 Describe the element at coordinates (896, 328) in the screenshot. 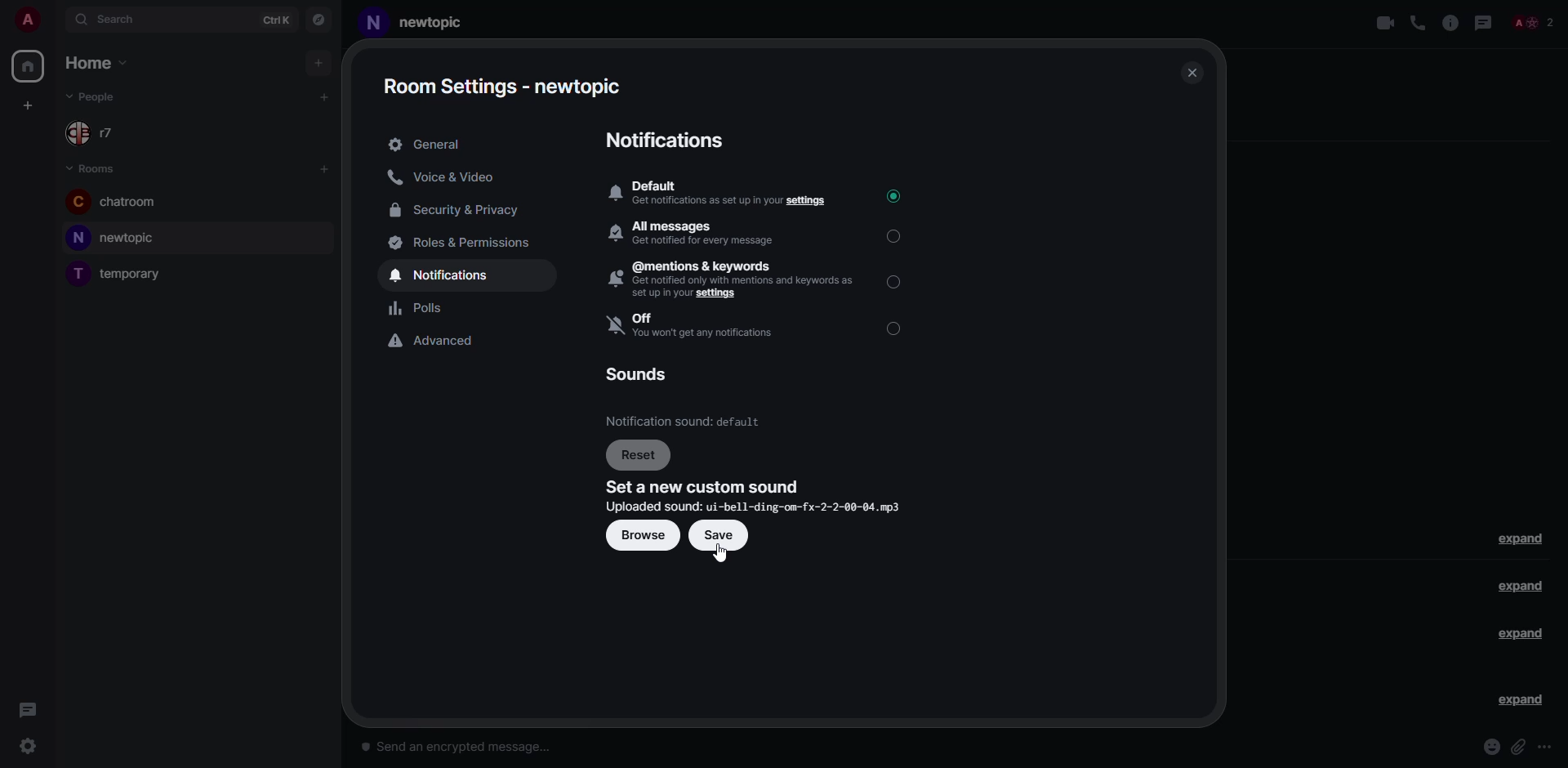

I see `select` at that location.